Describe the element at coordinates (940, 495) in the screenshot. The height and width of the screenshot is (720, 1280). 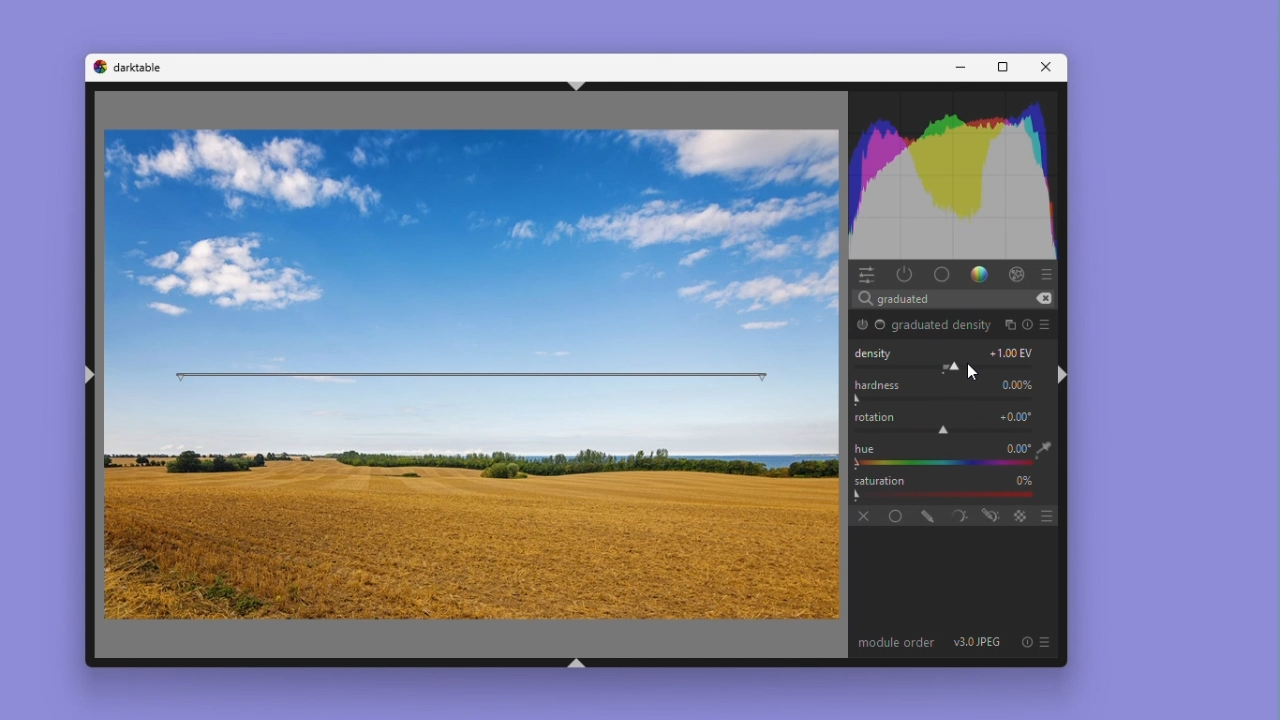
I see `Gradient Bar` at that location.